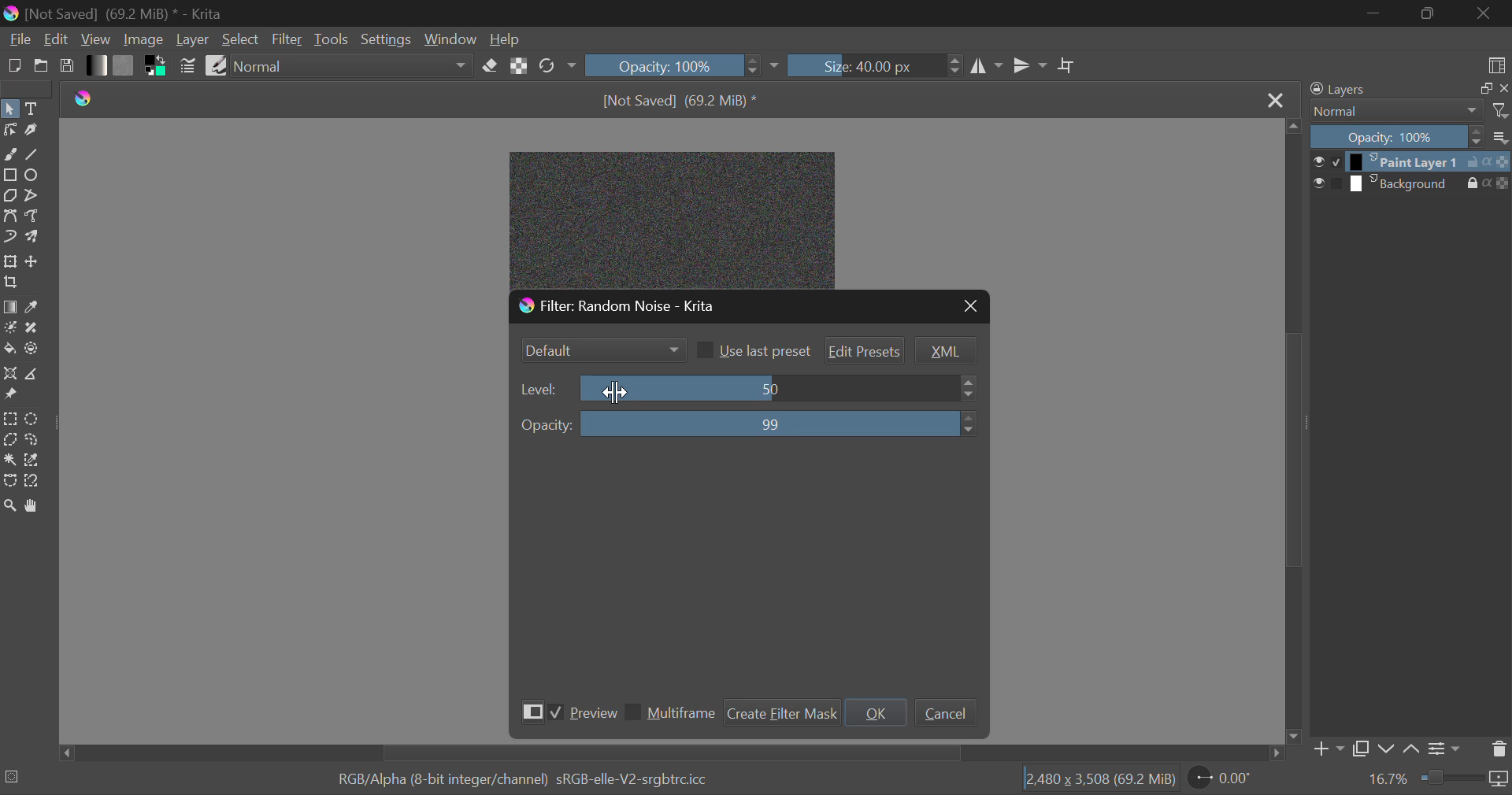 The width and height of the screenshot is (1512, 795). What do you see at coordinates (667, 753) in the screenshot?
I see `Scroll Bar` at bounding box center [667, 753].